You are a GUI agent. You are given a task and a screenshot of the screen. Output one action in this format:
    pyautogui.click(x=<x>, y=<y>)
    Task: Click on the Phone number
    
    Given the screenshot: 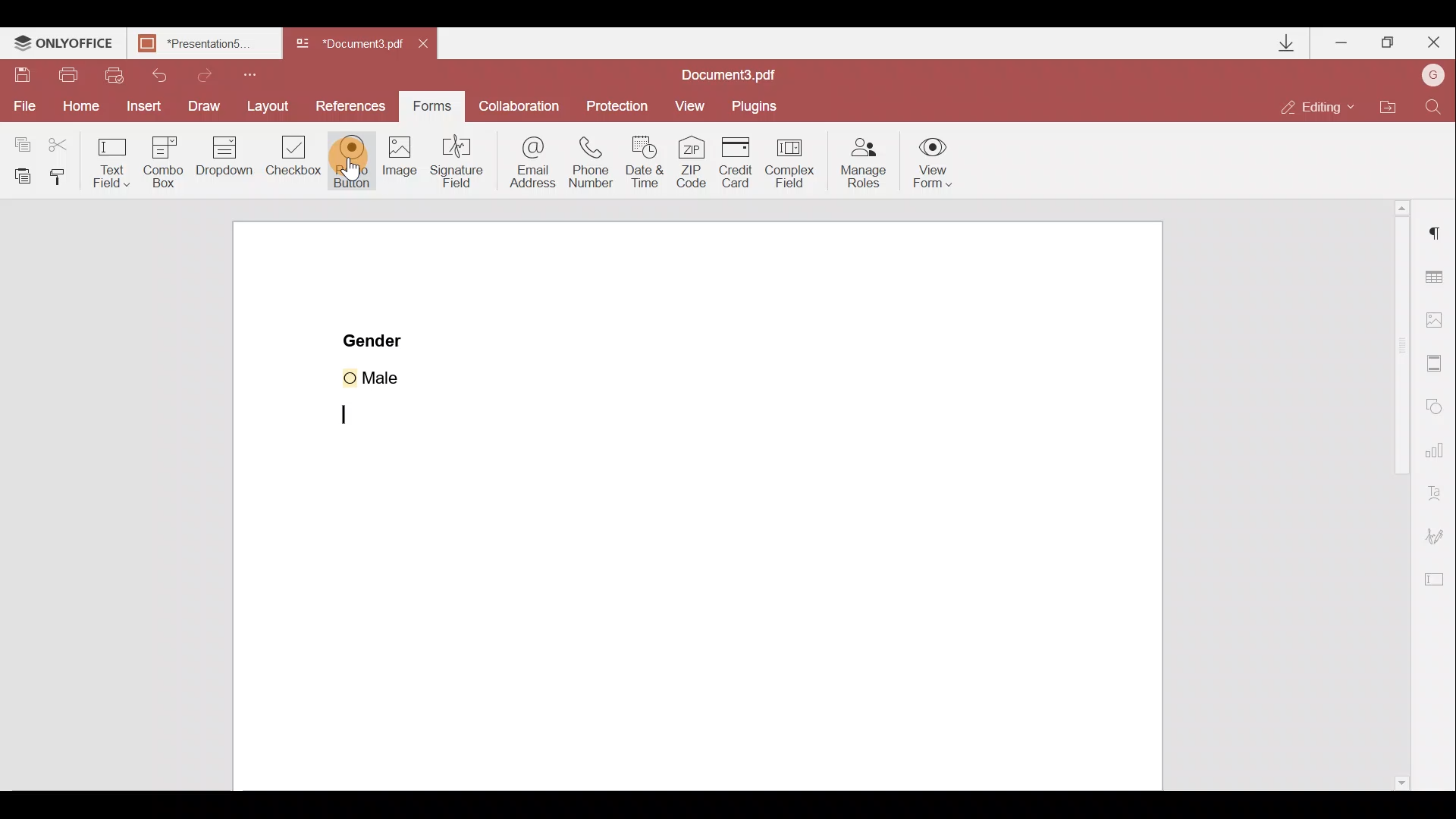 What is the action you would take?
    pyautogui.click(x=597, y=161)
    